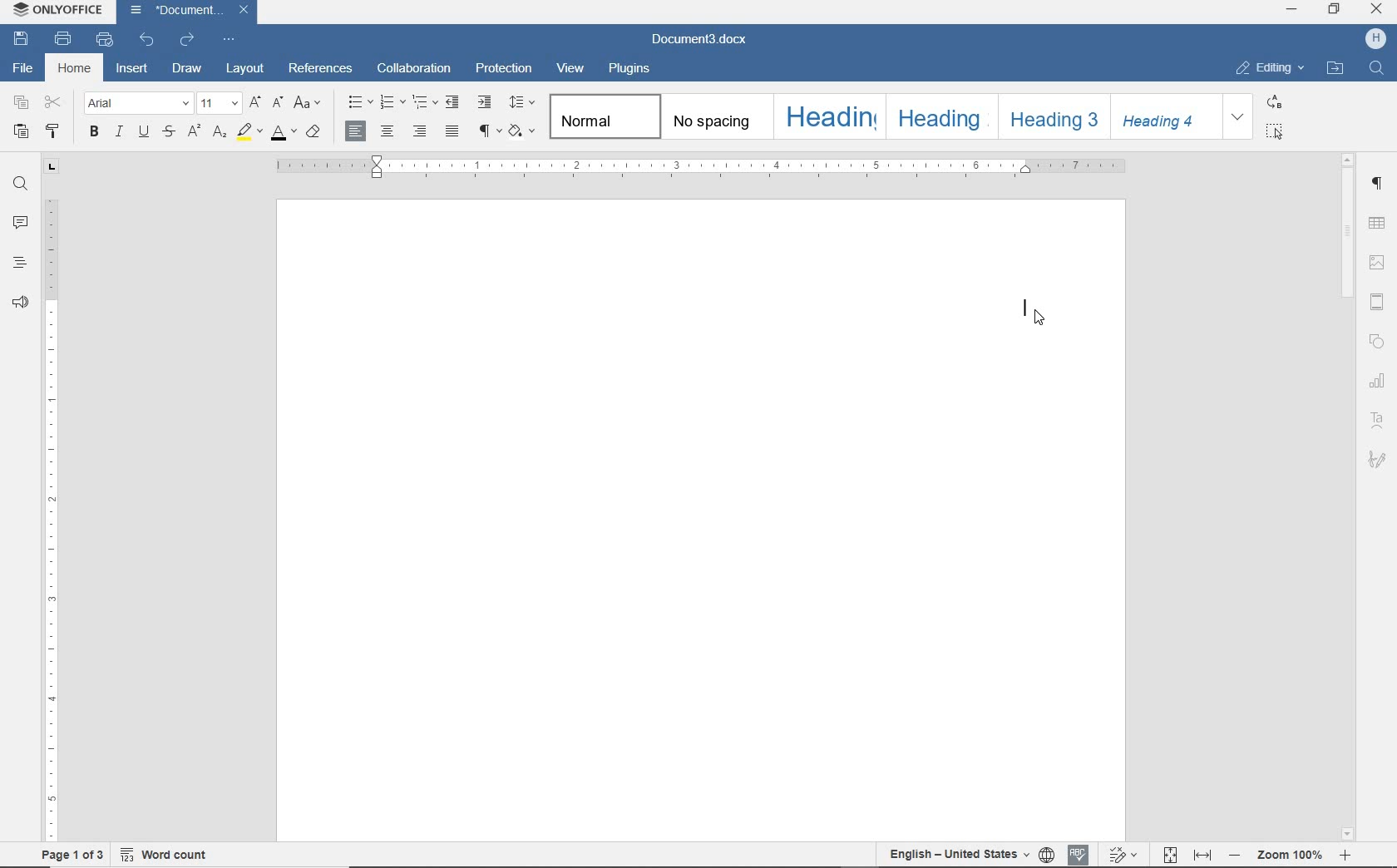 The height and width of the screenshot is (868, 1397). What do you see at coordinates (185, 70) in the screenshot?
I see `DRAW` at bounding box center [185, 70].